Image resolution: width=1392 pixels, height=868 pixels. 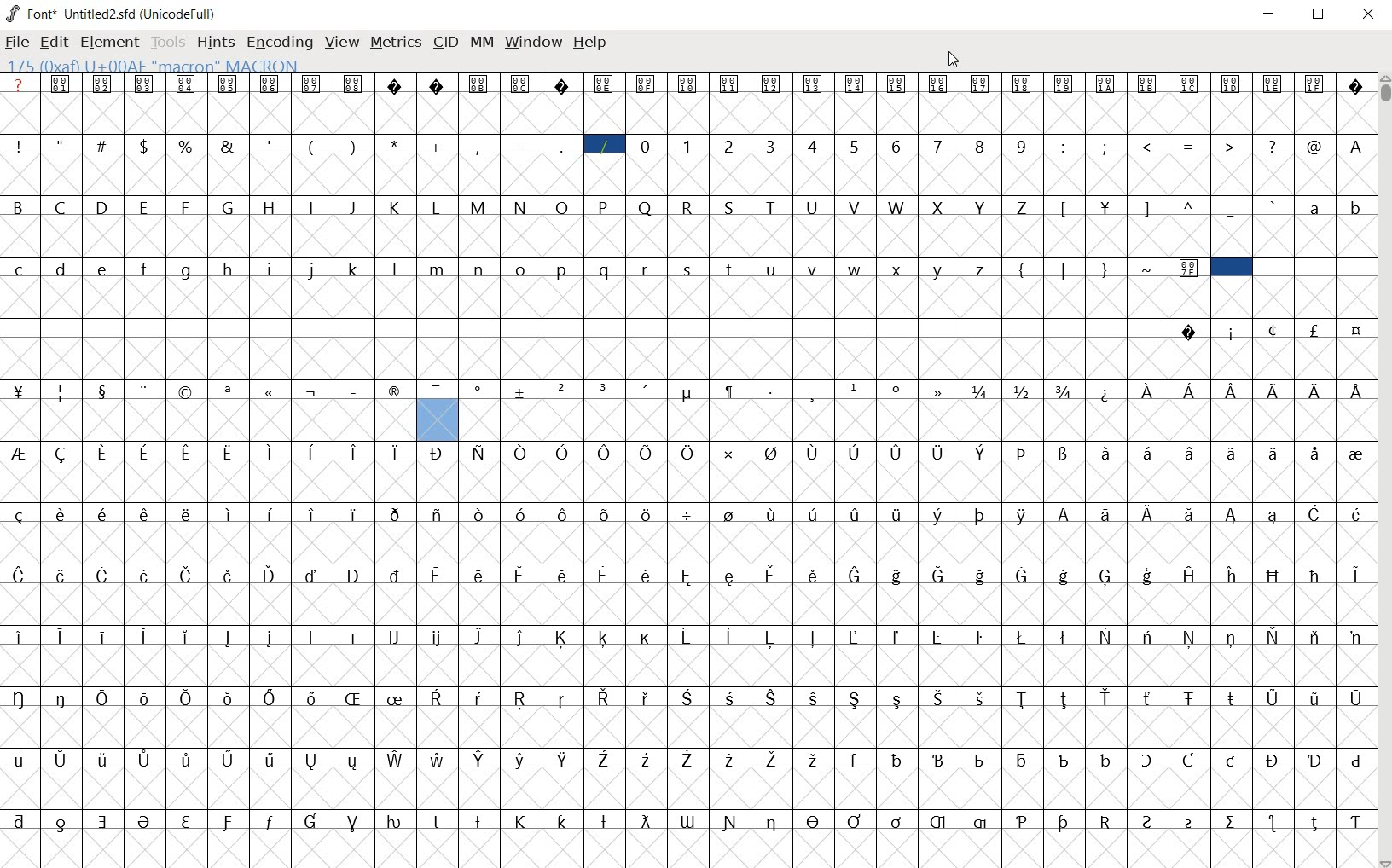 I want to click on Symbol, so click(x=351, y=84).